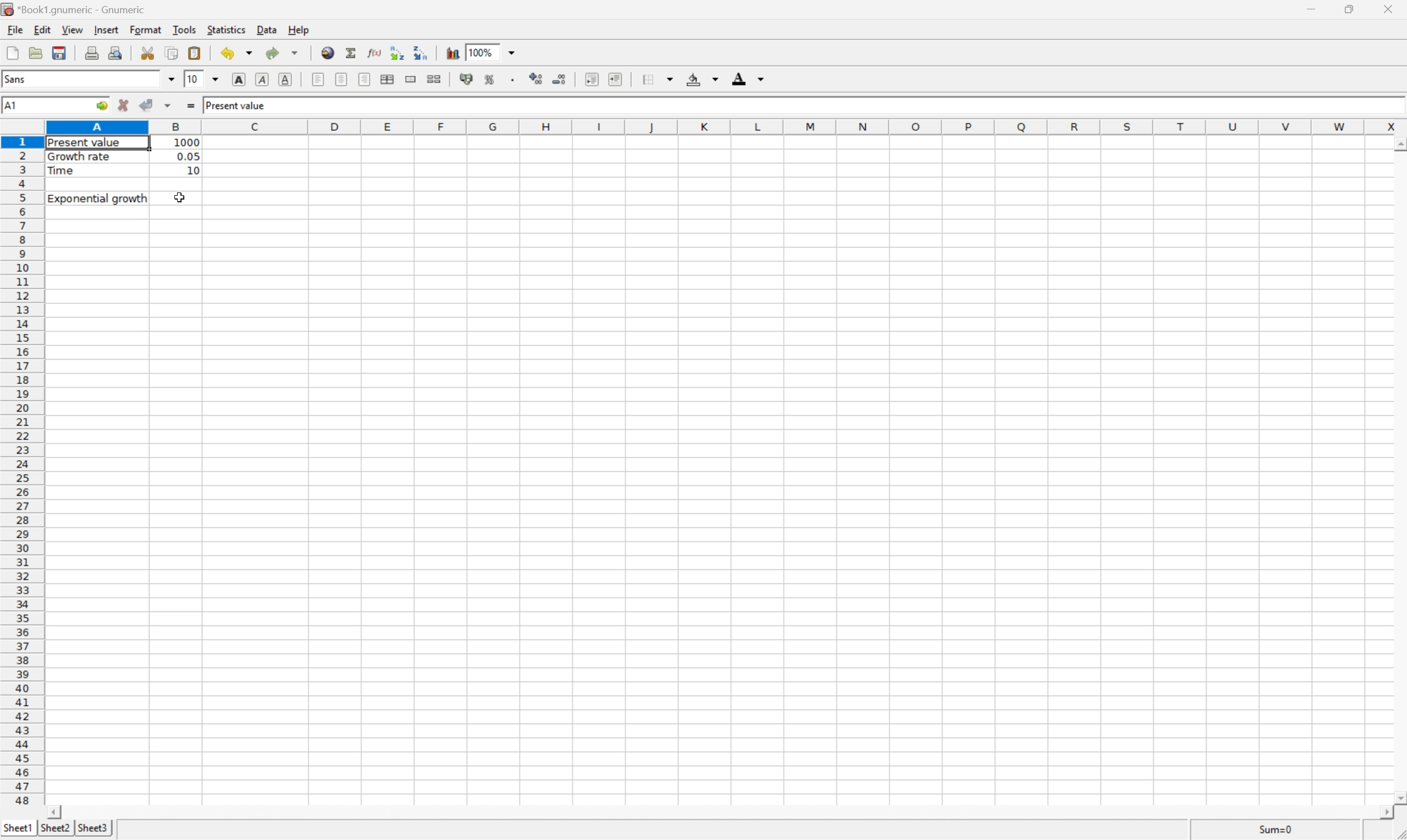  What do you see at coordinates (196, 52) in the screenshot?
I see `Paste the clipboard` at bounding box center [196, 52].